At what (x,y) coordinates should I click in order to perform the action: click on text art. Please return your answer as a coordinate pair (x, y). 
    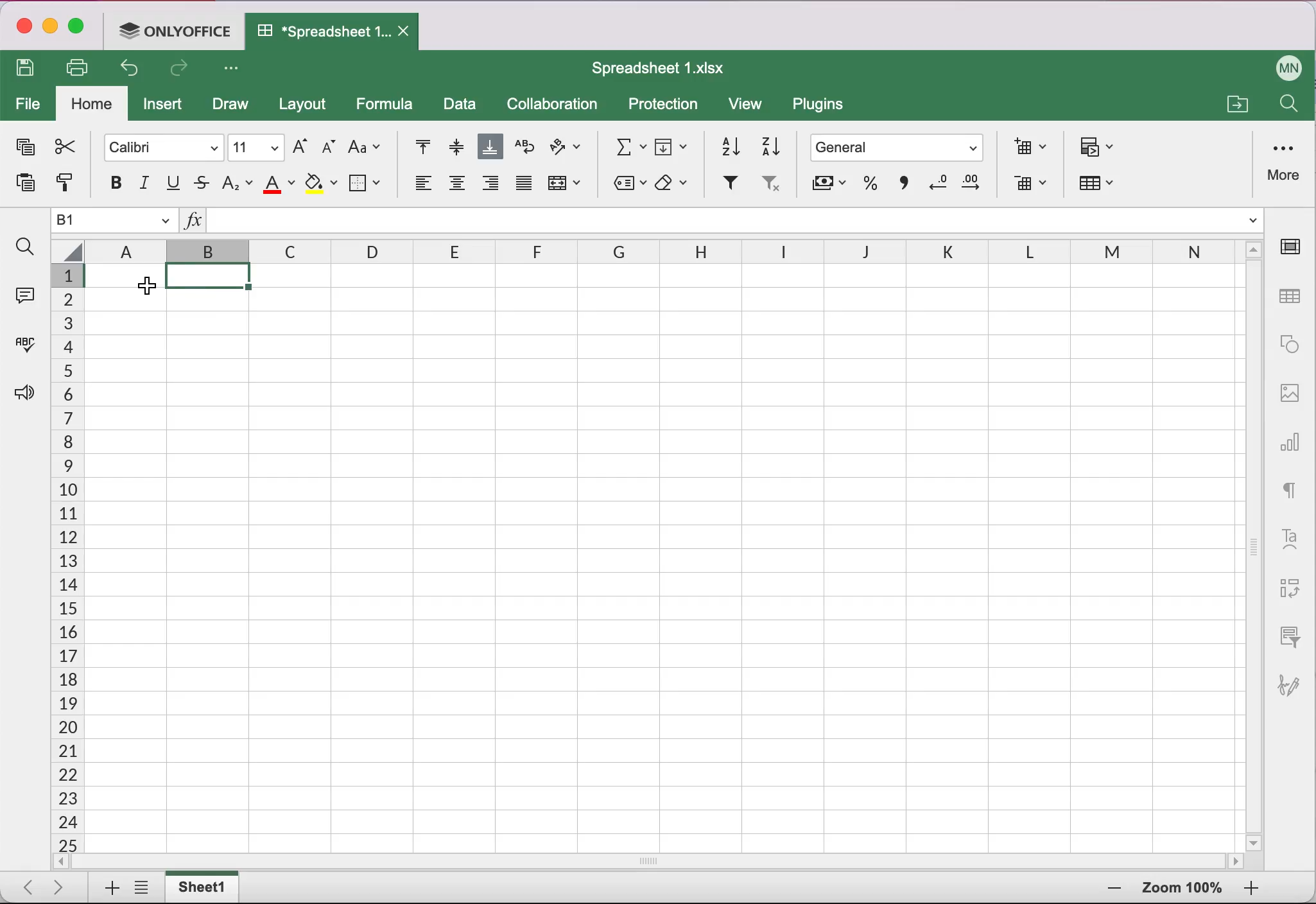
    Looking at the image, I should click on (1290, 537).